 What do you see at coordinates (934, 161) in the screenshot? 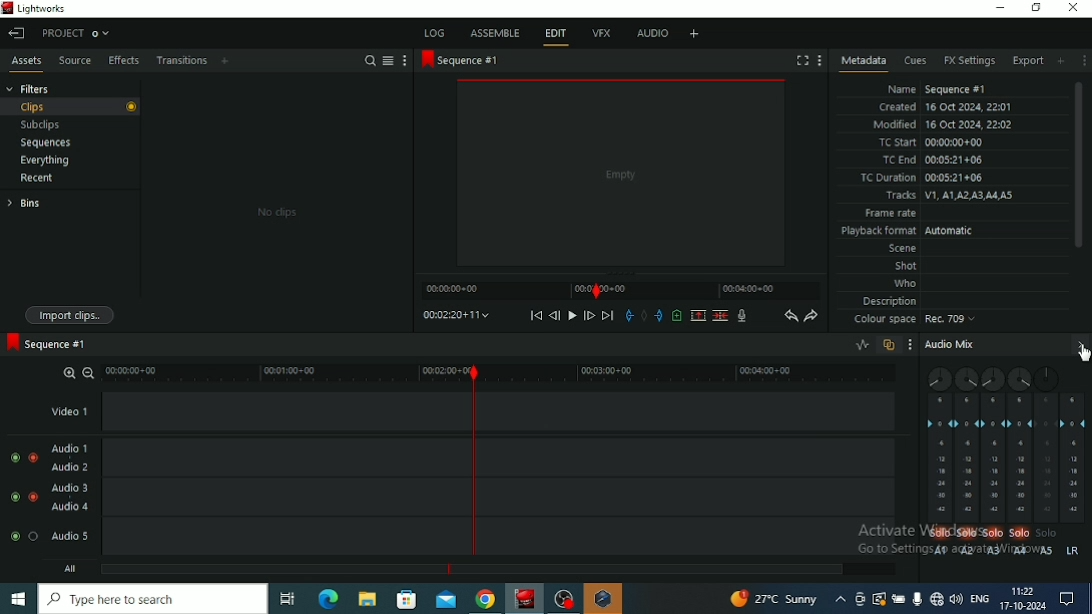
I see `TC End` at bounding box center [934, 161].